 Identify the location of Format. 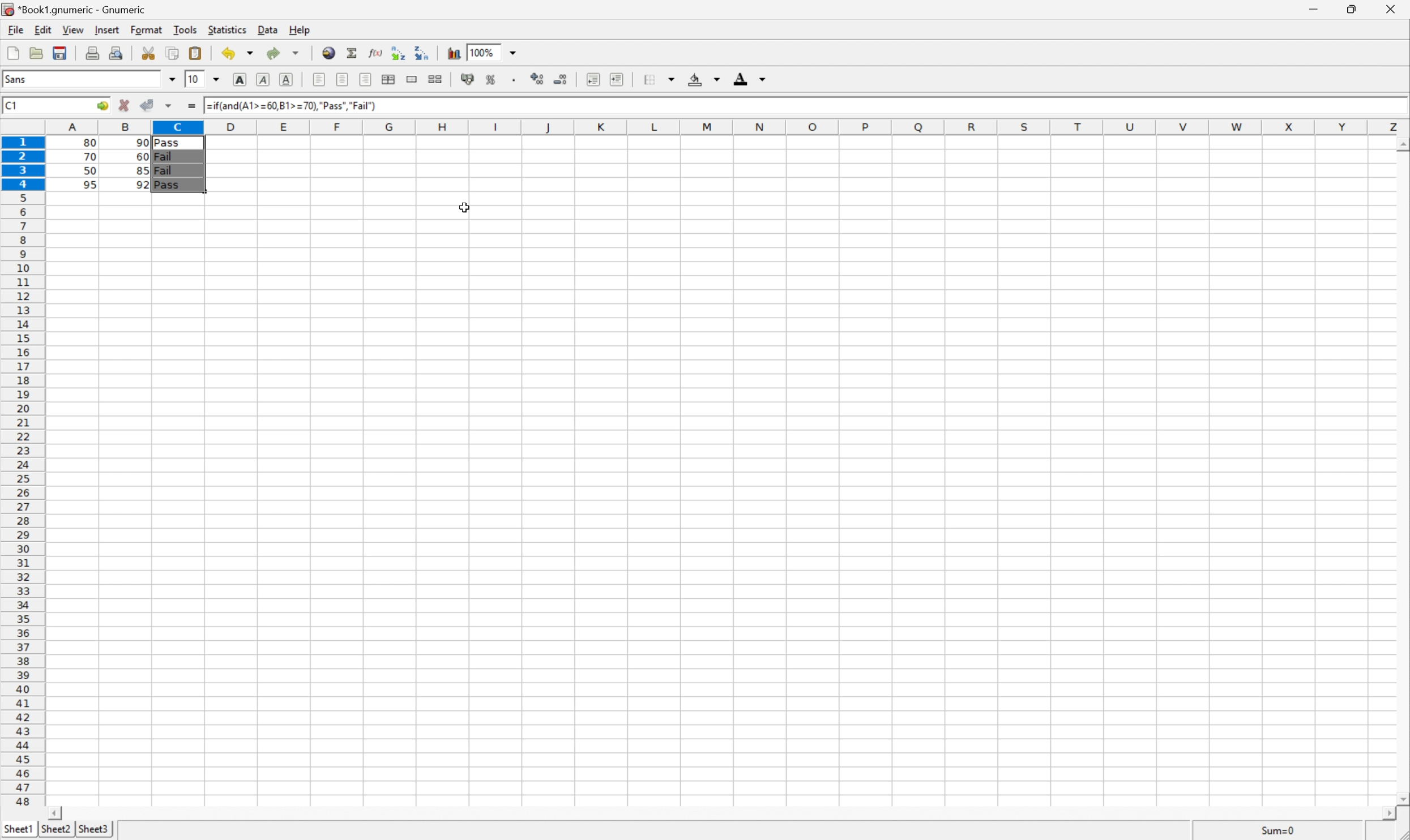
(146, 28).